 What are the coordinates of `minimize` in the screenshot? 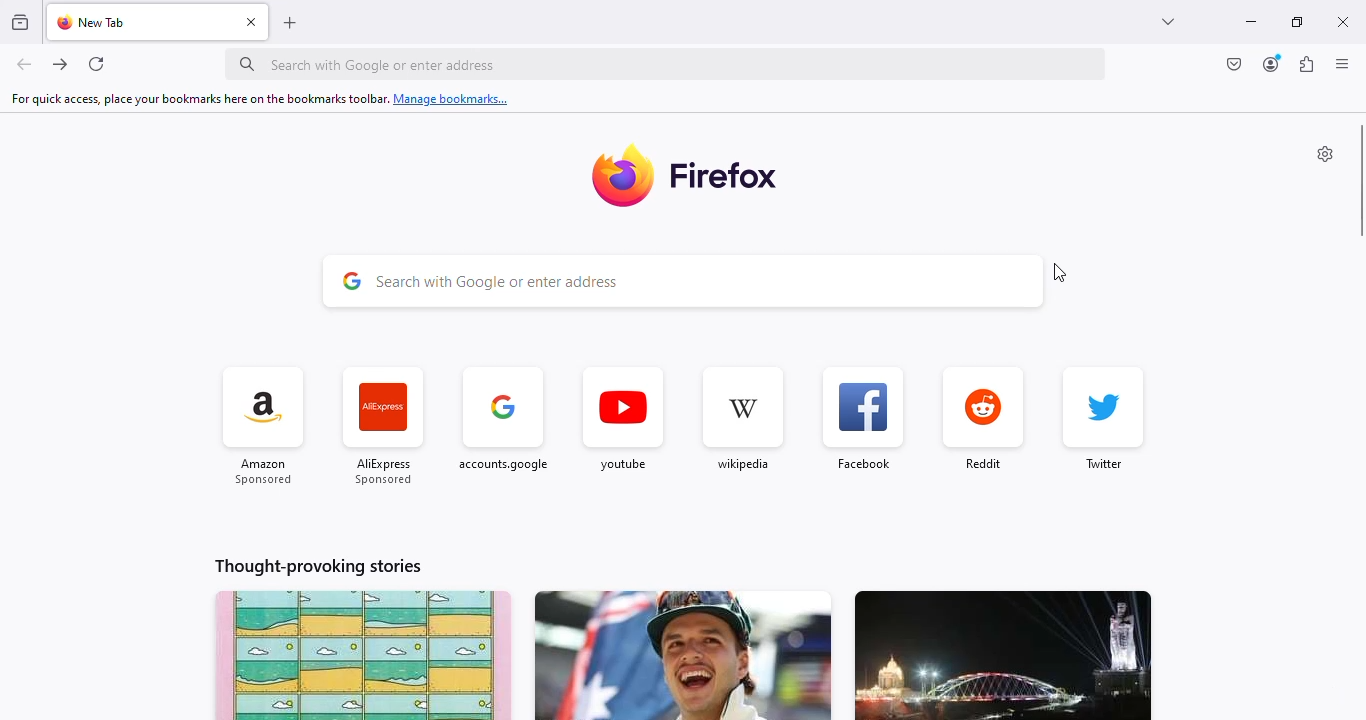 It's located at (1251, 22).